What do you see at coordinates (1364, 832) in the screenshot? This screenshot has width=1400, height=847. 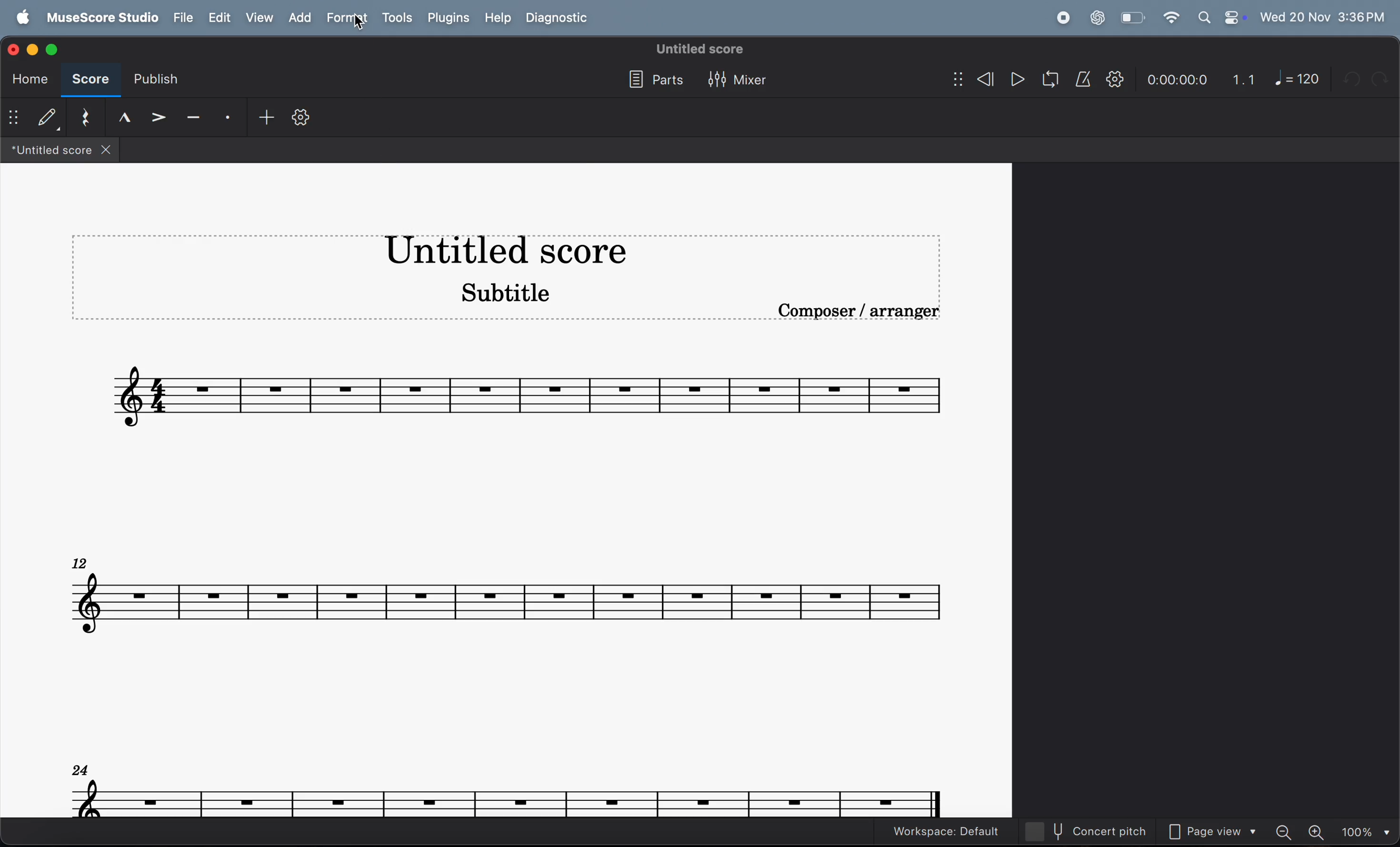 I see `zoom percentage` at bounding box center [1364, 832].